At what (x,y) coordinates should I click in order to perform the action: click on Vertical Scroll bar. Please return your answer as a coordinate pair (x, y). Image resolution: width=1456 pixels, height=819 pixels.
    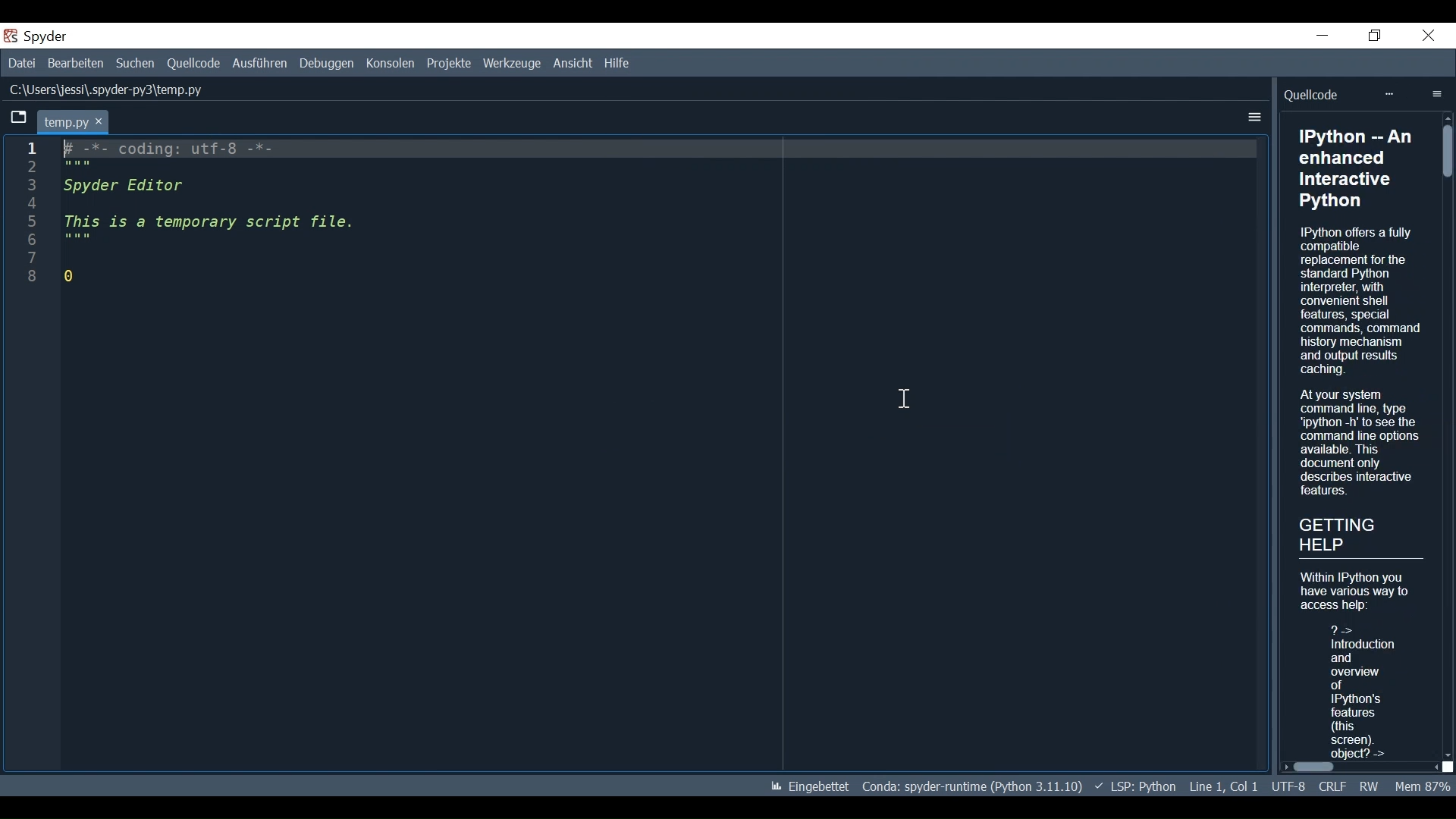
    Looking at the image, I should click on (1446, 436).